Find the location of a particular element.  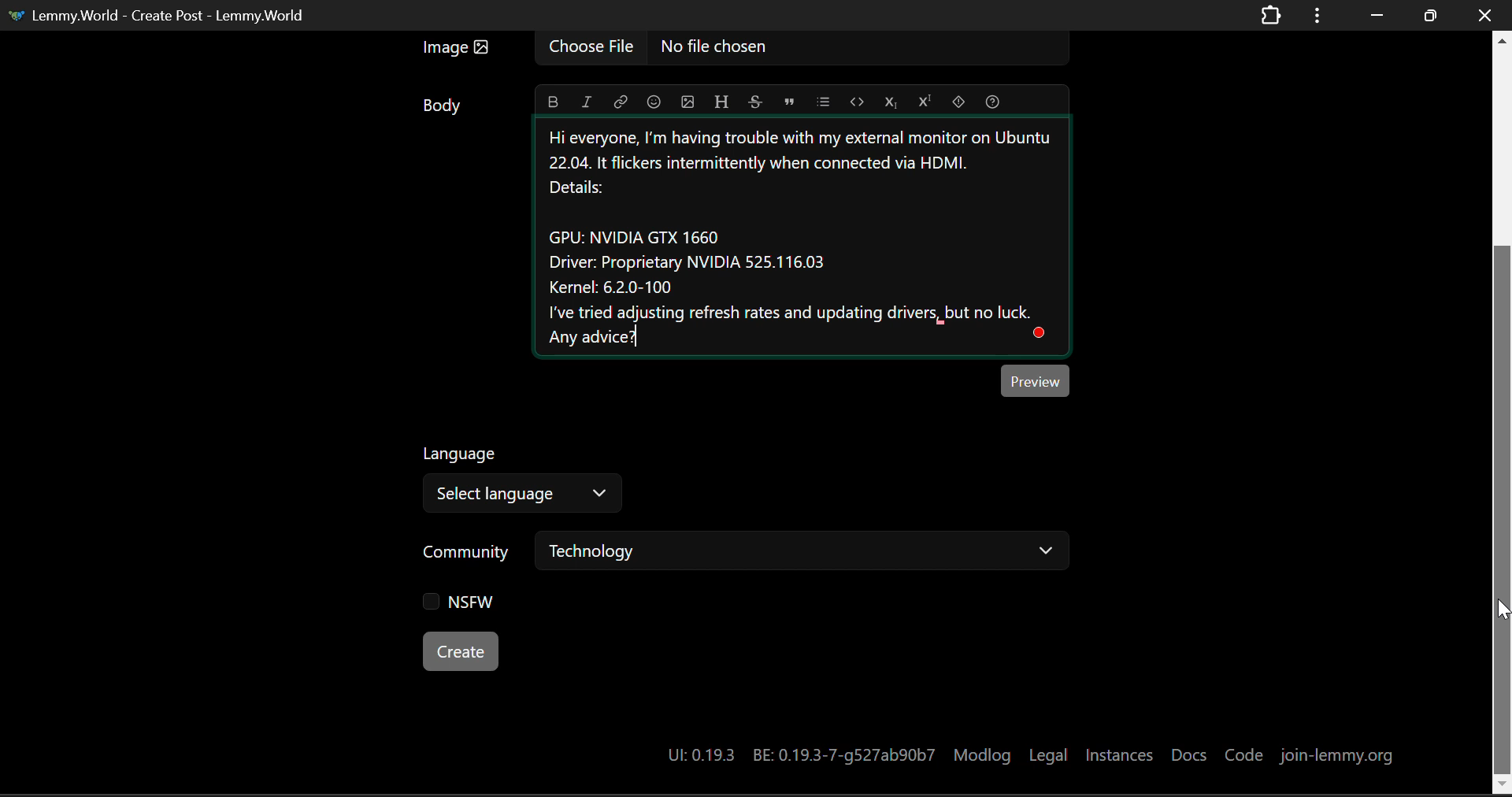

Insert Emoji is located at coordinates (653, 101).